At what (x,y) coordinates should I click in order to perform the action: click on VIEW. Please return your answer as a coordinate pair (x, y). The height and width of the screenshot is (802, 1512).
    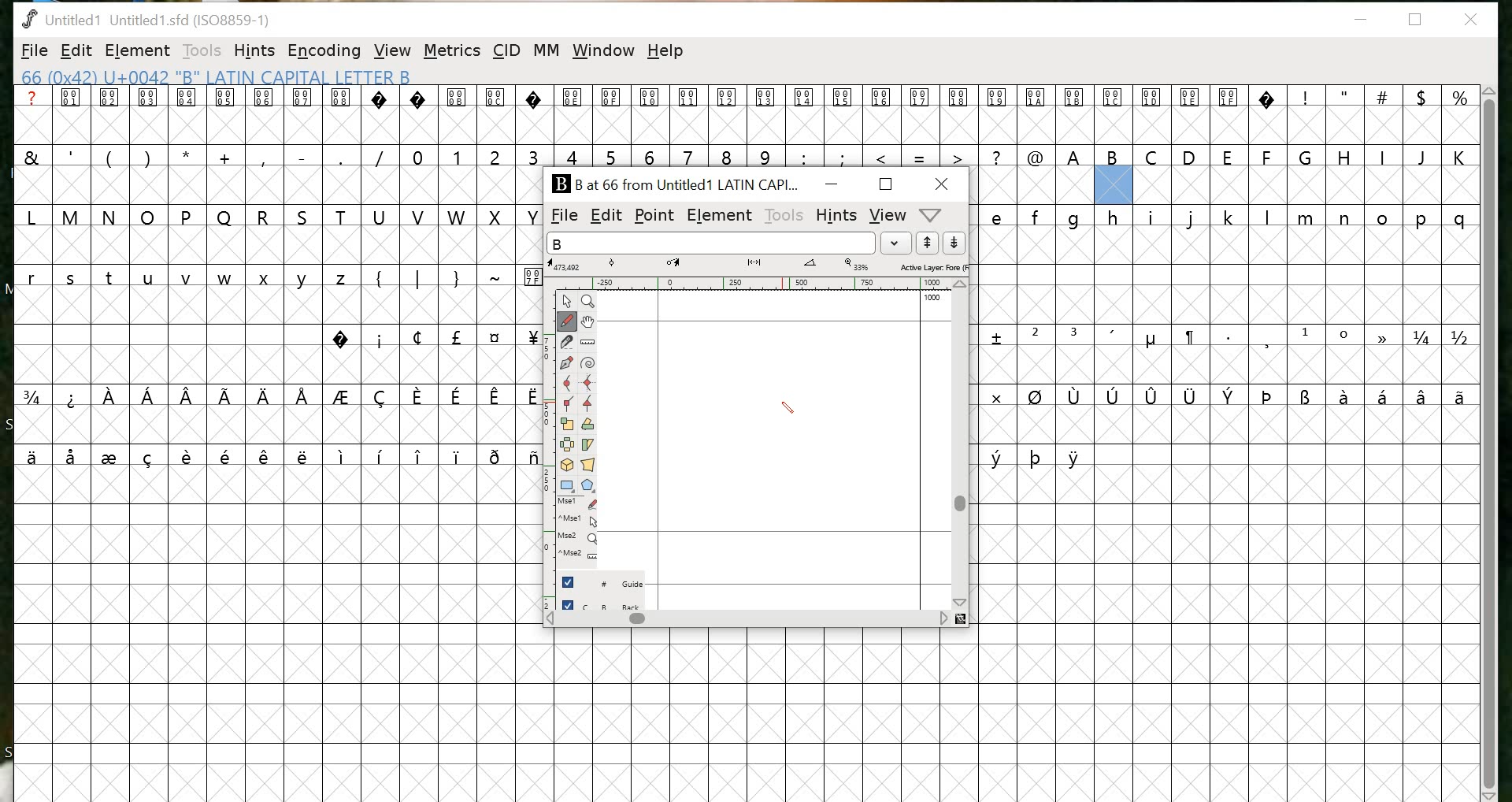
    Looking at the image, I should click on (888, 215).